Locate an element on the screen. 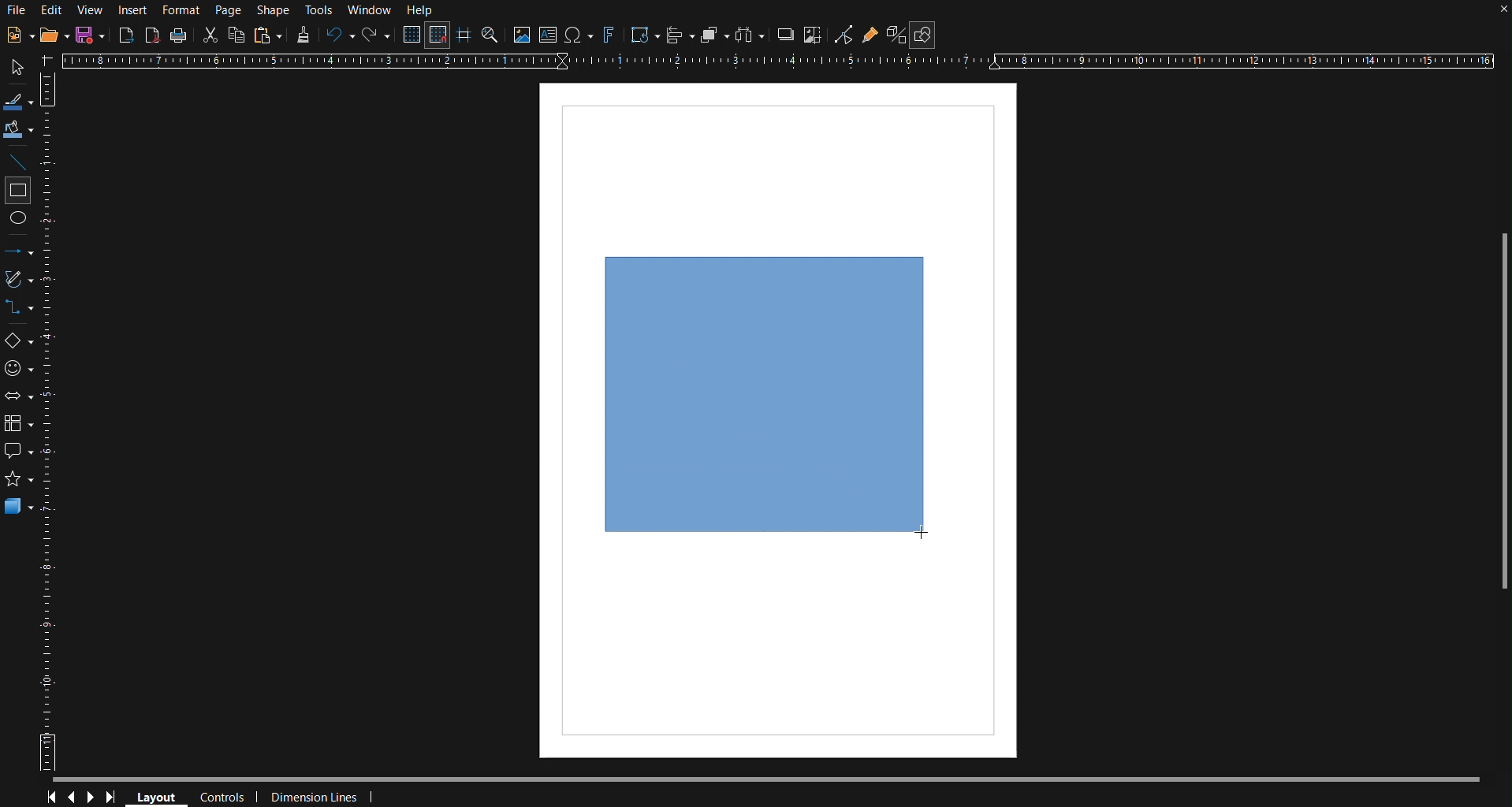 Image resolution: width=1512 pixels, height=807 pixels. Insert Special Character is located at coordinates (578, 35).